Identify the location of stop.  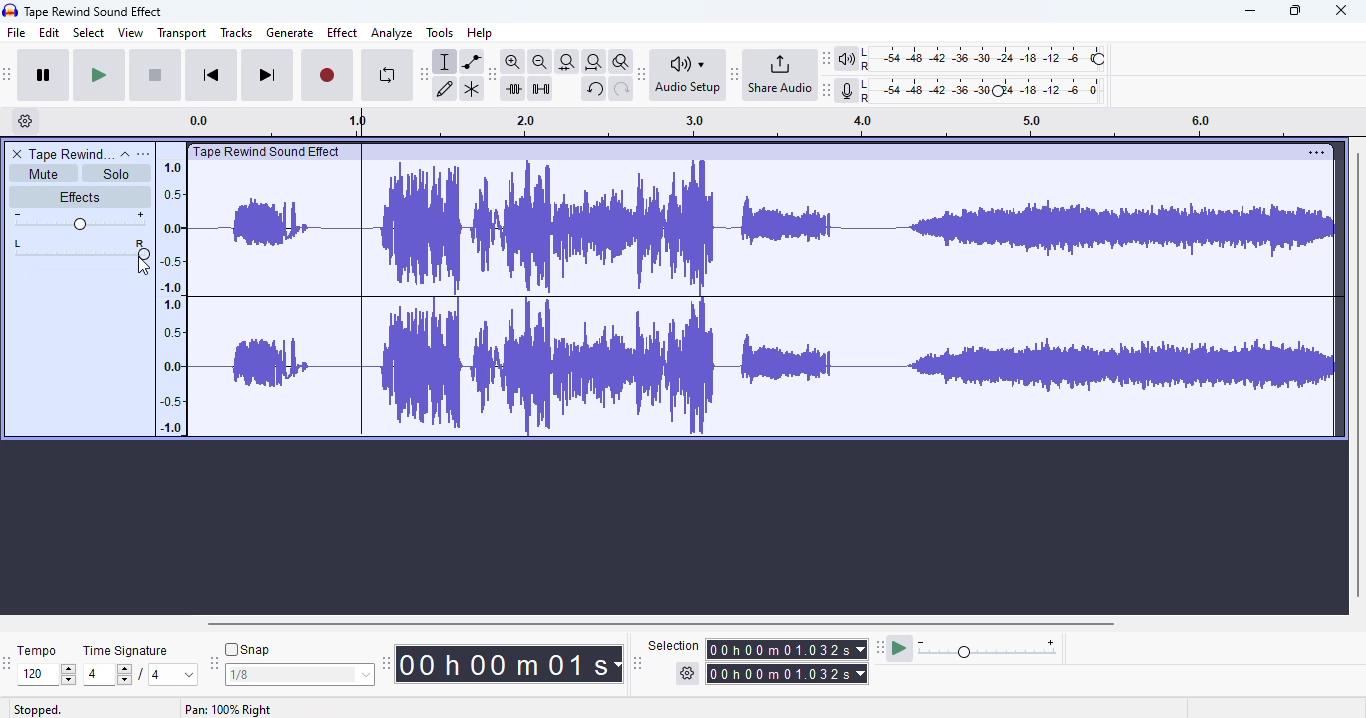
(155, 76).